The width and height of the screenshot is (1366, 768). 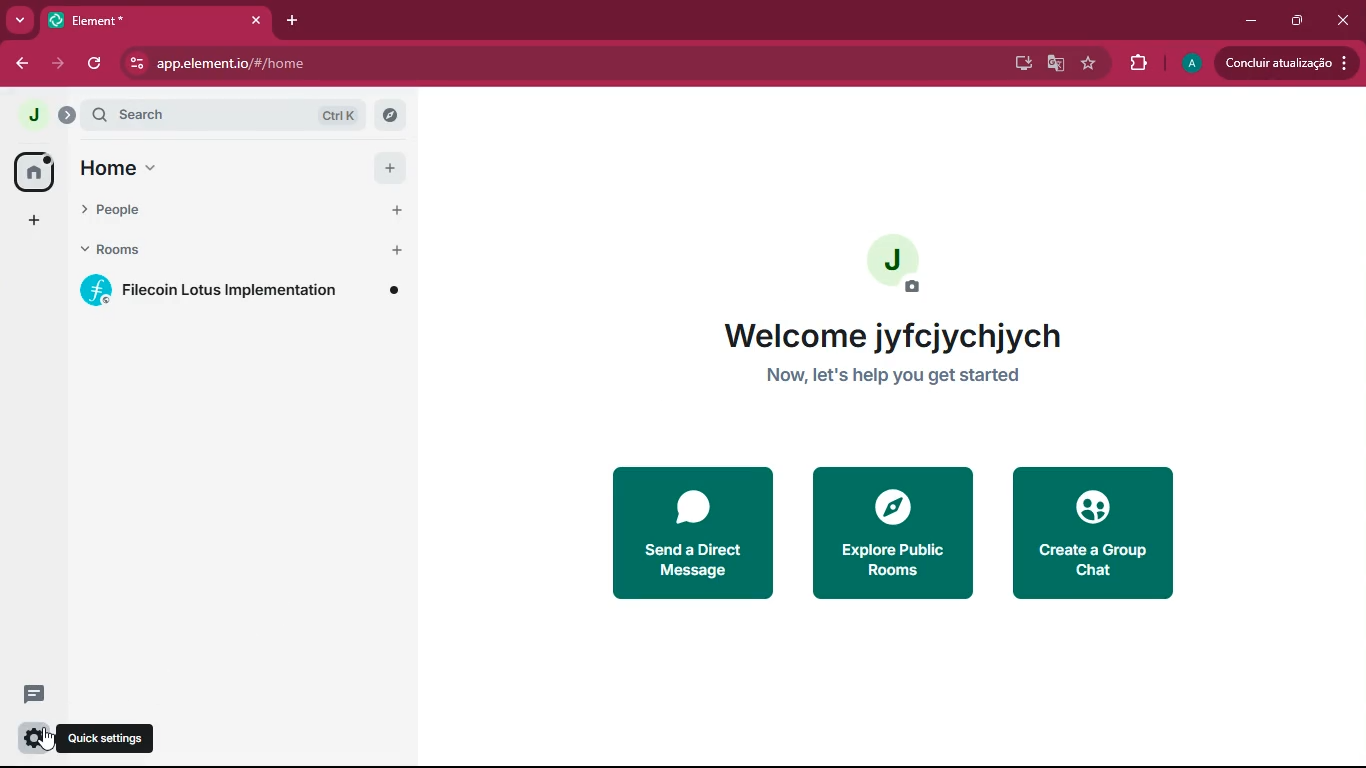 I want to click on extensions, so click(x=1137, y=64).